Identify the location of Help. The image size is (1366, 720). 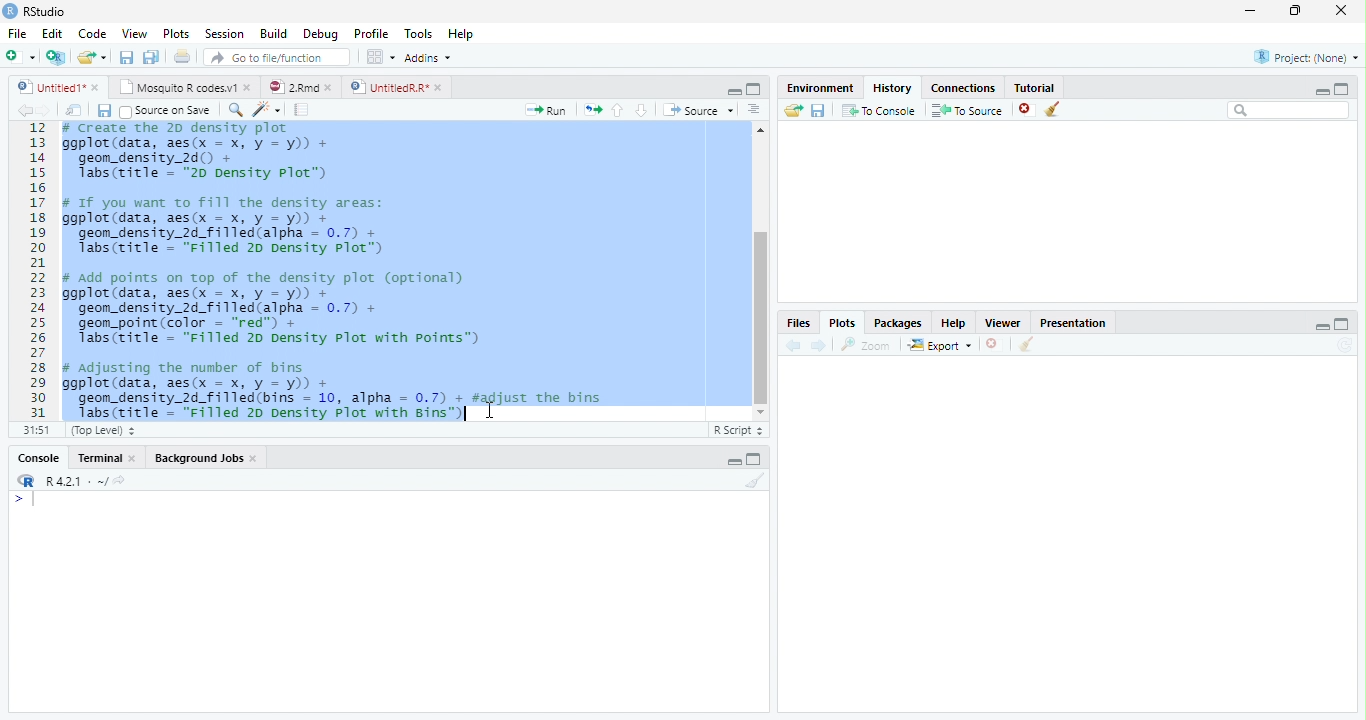
(460, 35).